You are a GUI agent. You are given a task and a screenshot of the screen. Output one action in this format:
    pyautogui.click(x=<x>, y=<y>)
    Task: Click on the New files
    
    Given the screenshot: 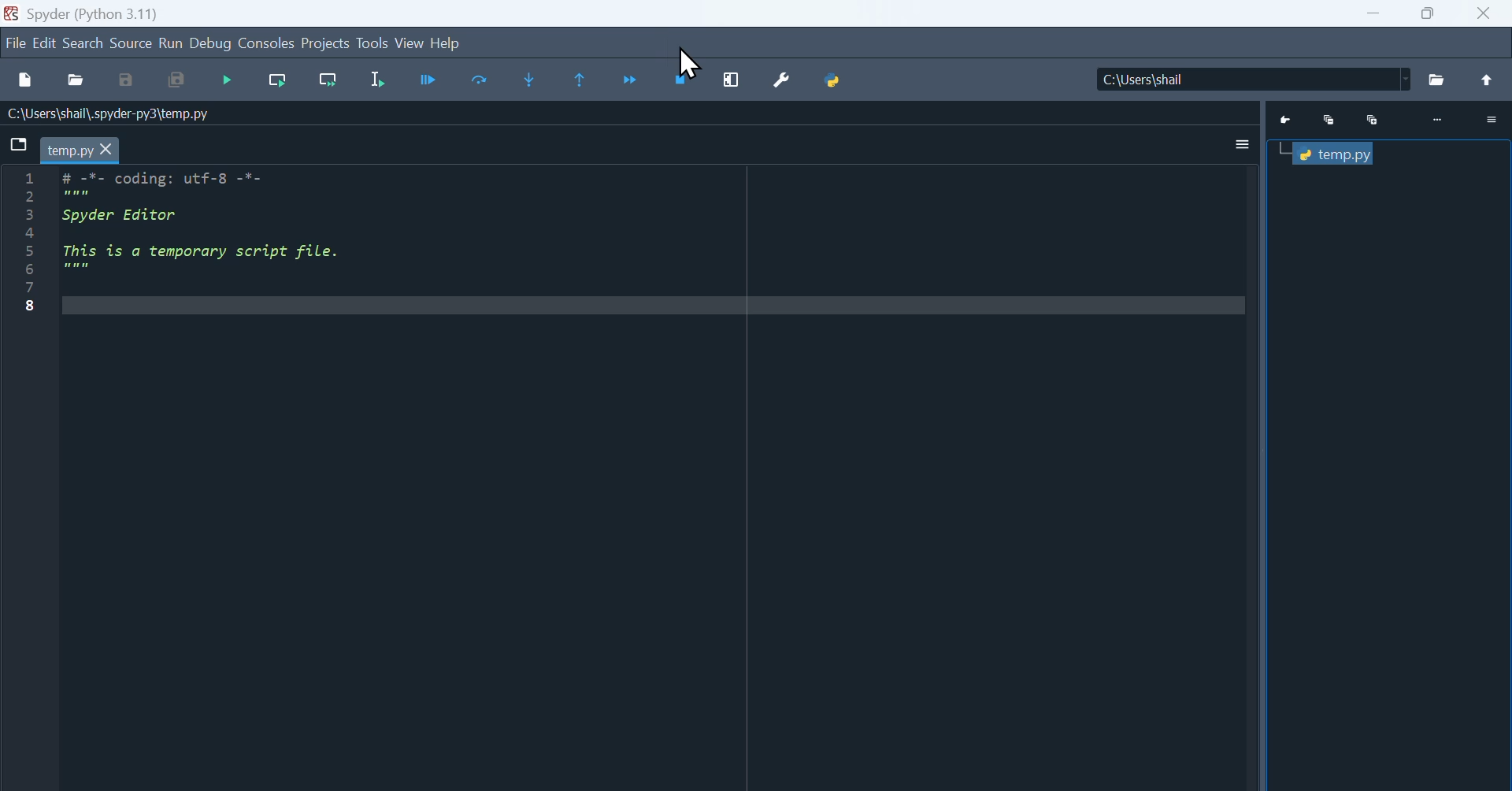 What is the action you would take?
    pyautogui.click(x=24, y=80)
    